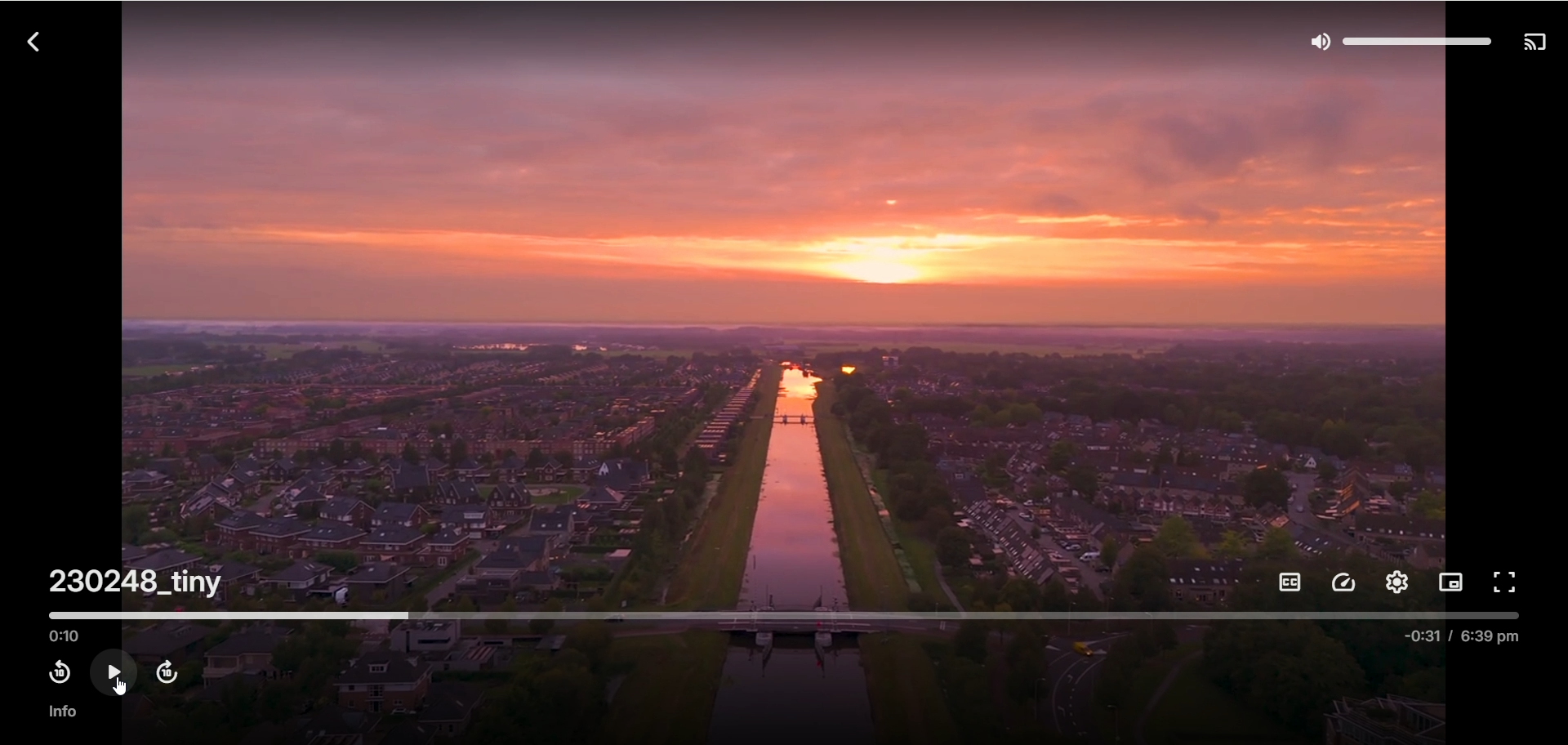  I want to click on info, so click(65, 712).